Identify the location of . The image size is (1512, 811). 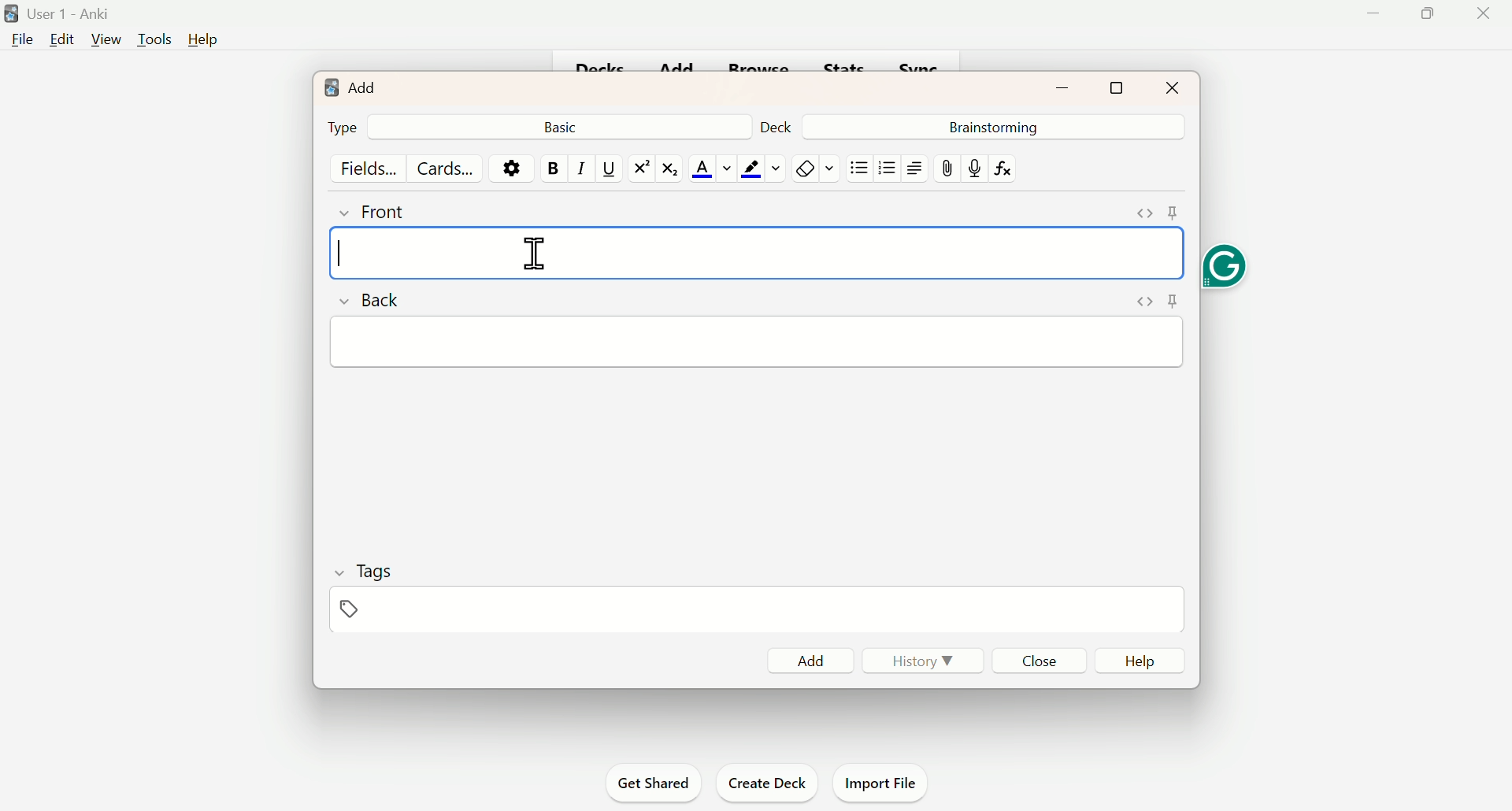
(1177, 87).